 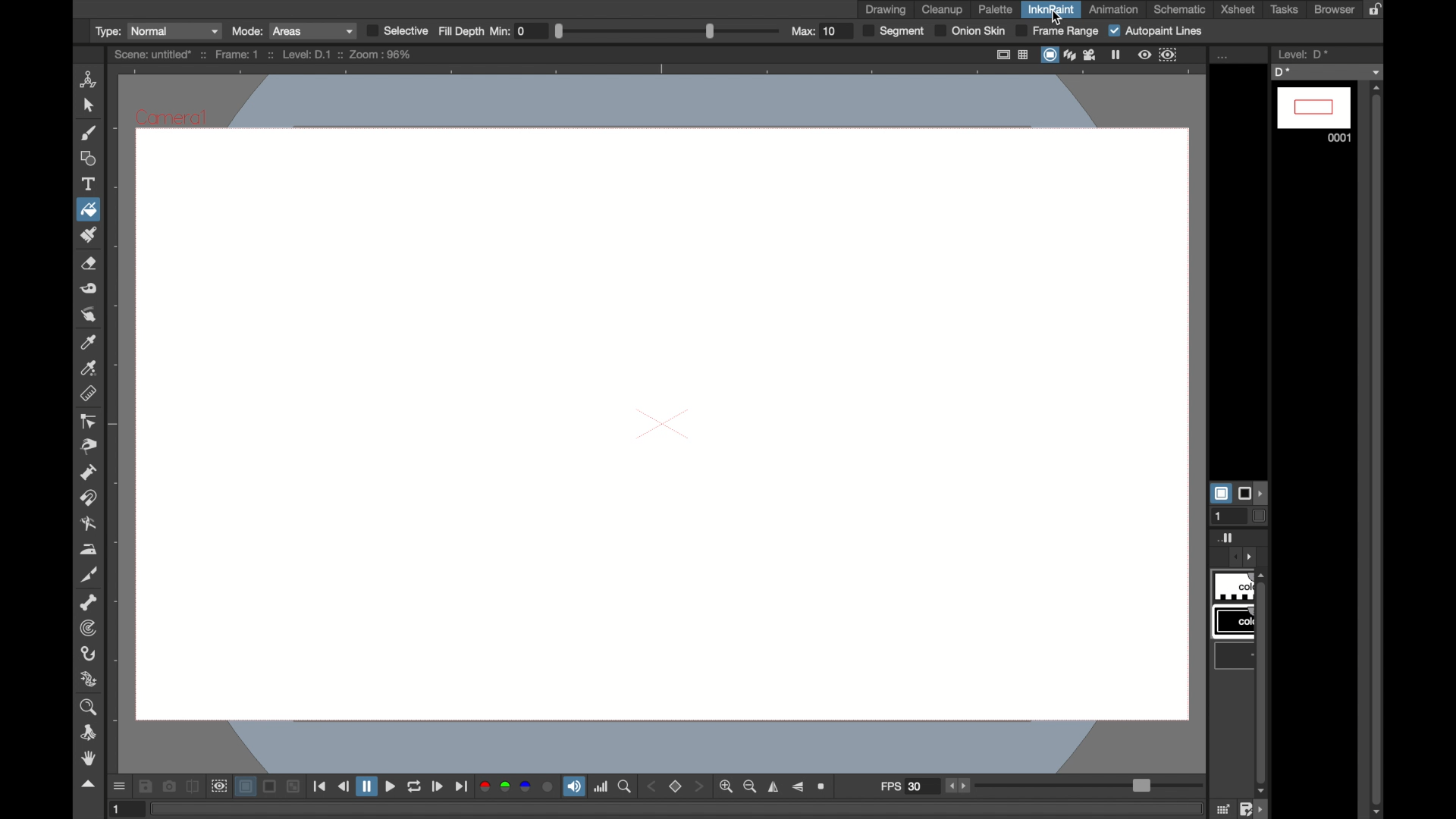 I want to click on cursor, so click(x=1056, y=16).